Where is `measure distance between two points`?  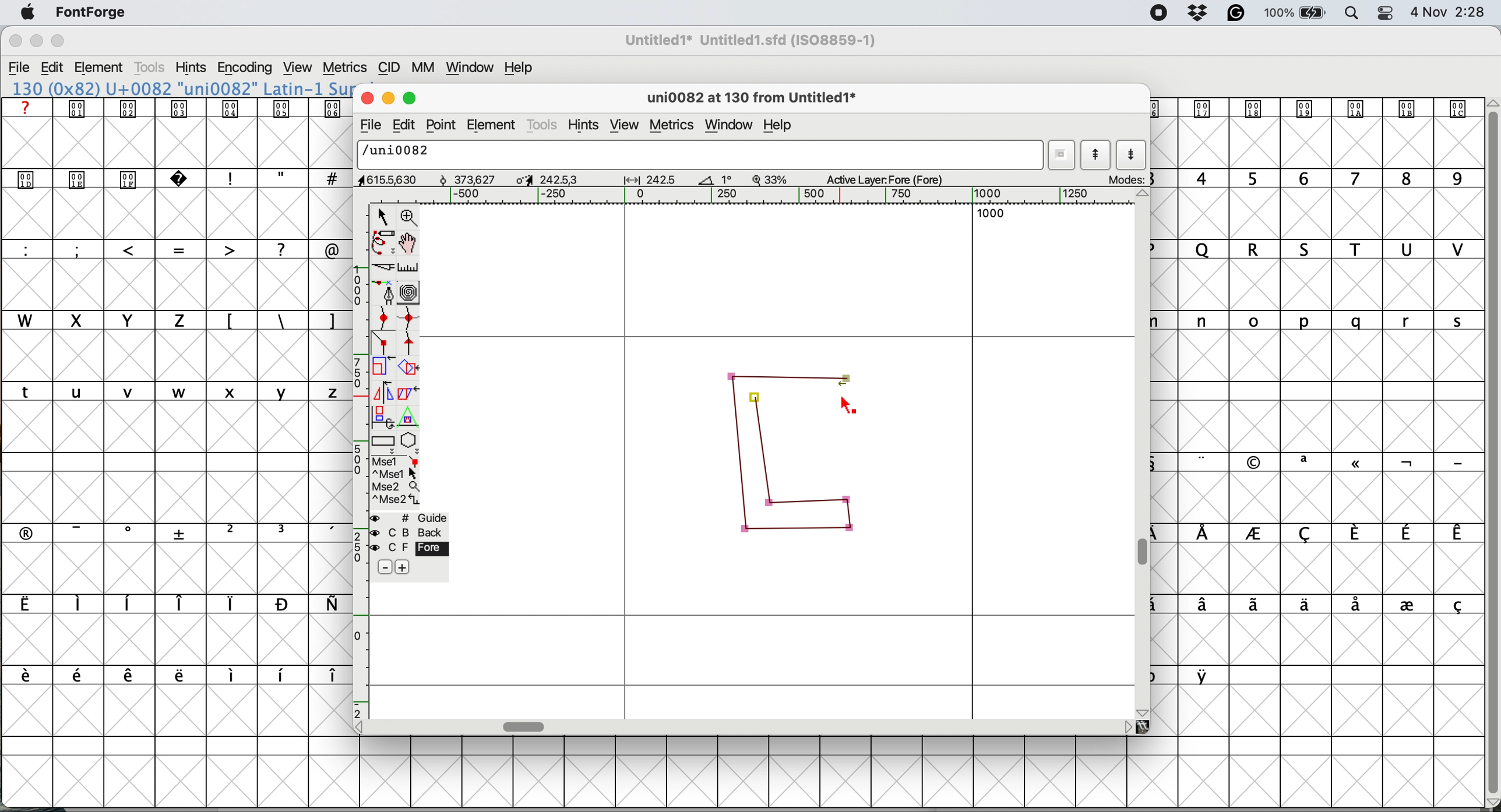 measure distance between two points is located at coordinates (409, 270).